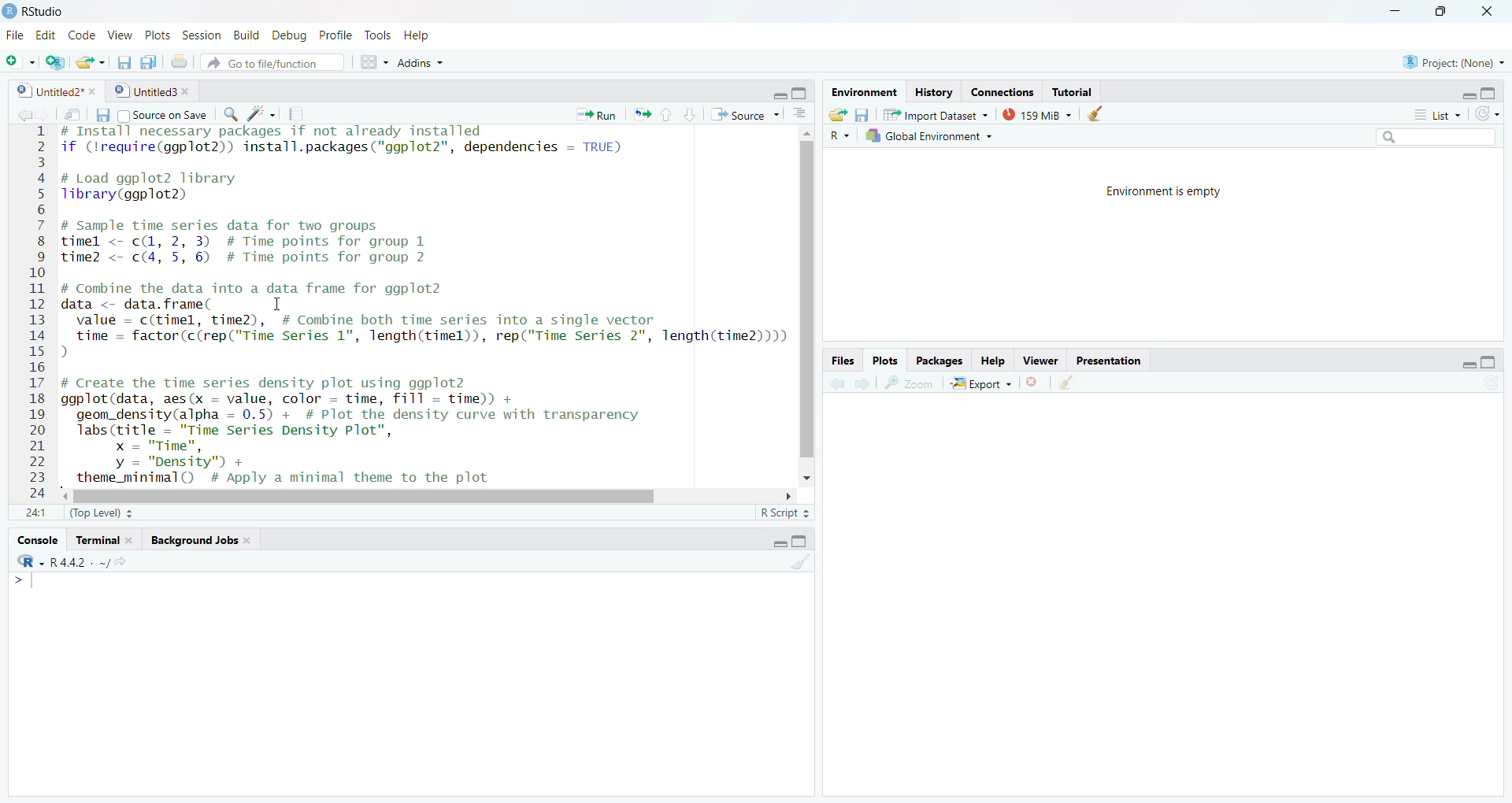  Describe the element at coordinates (981, 383) in the screenshot. I see `Export ` at that location.